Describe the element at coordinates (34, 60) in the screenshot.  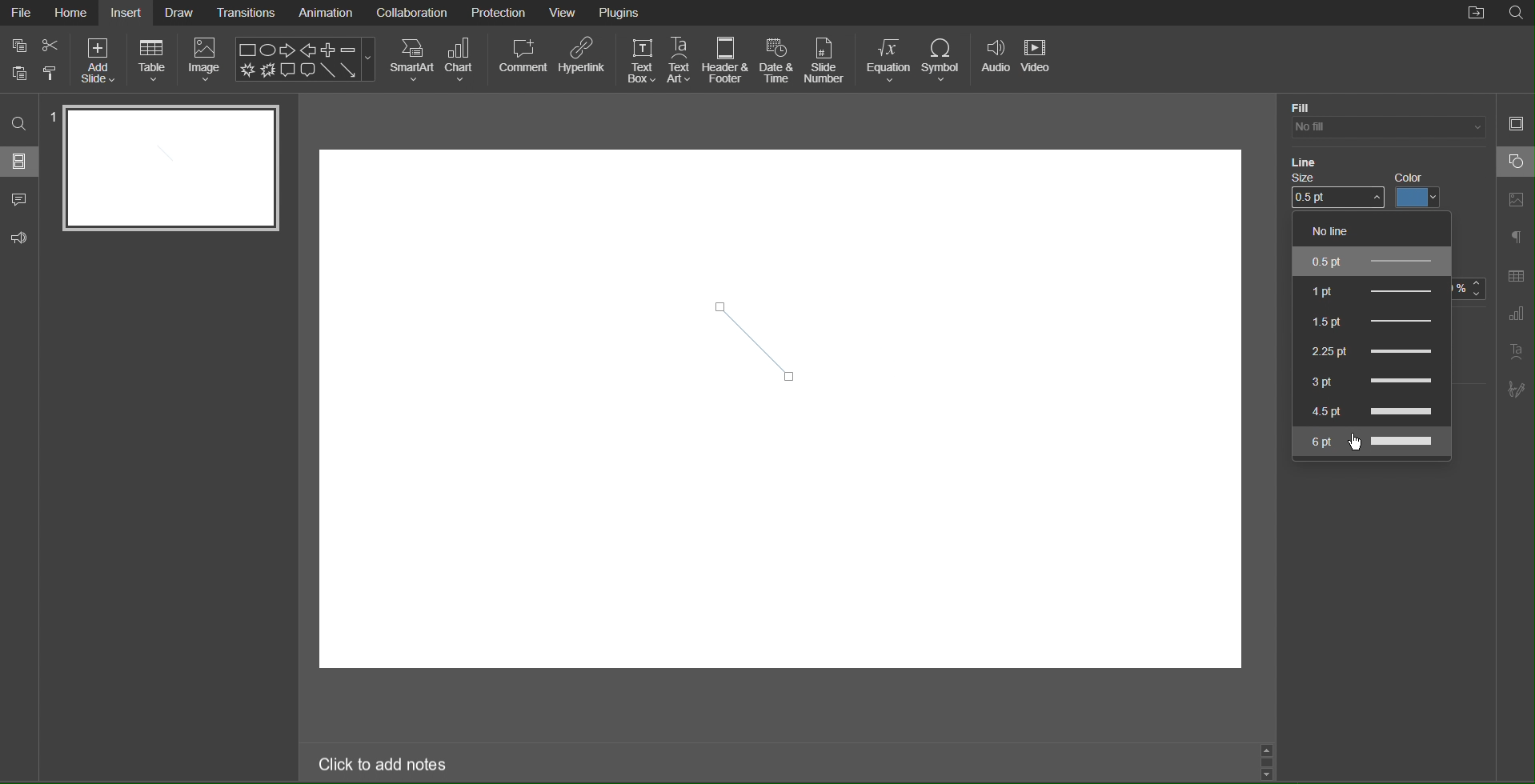
I see `Cut Copy Paste` at that location.